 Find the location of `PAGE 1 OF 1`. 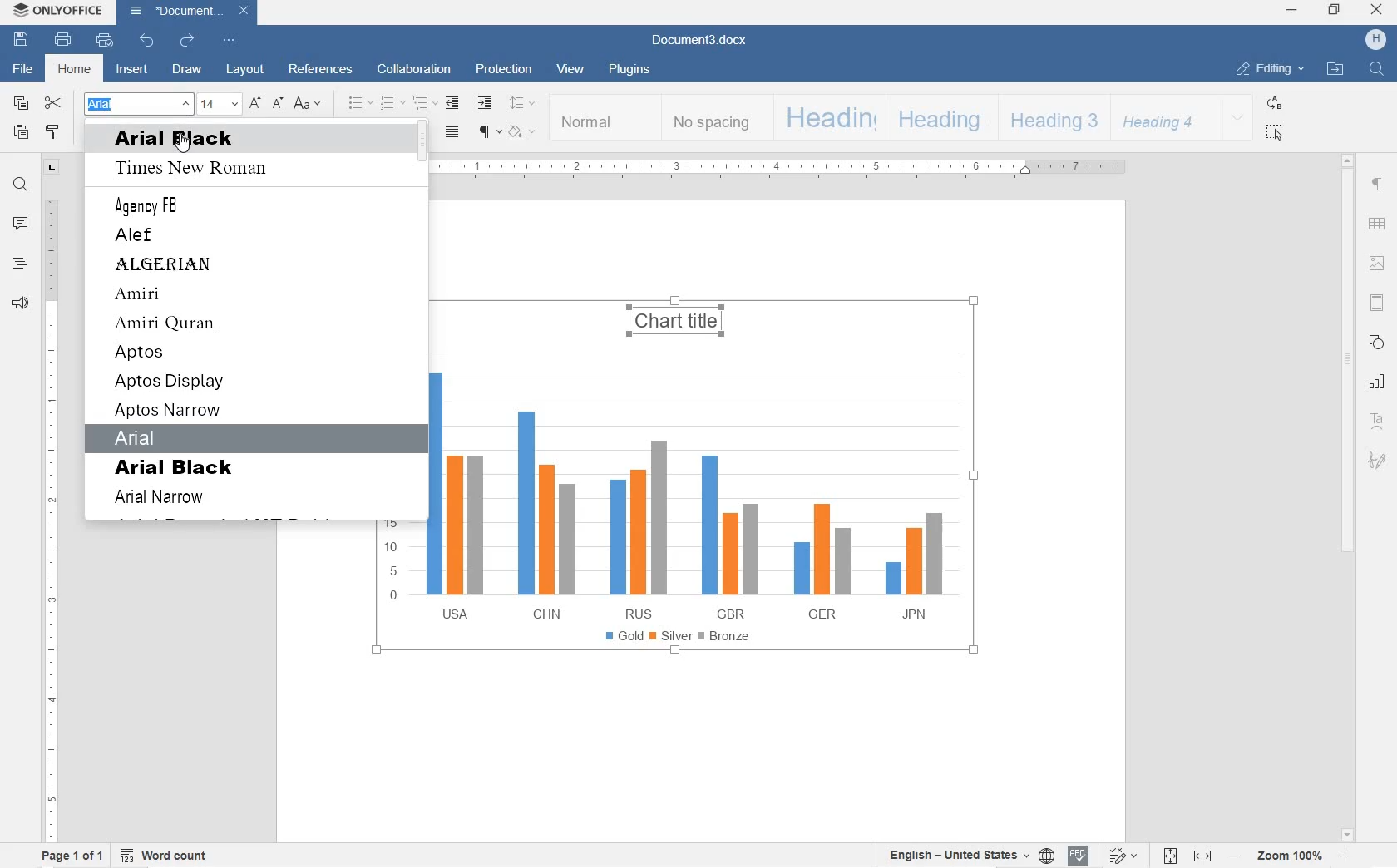

PAGE 1 OF 1 is located at coordinates (74, 856).